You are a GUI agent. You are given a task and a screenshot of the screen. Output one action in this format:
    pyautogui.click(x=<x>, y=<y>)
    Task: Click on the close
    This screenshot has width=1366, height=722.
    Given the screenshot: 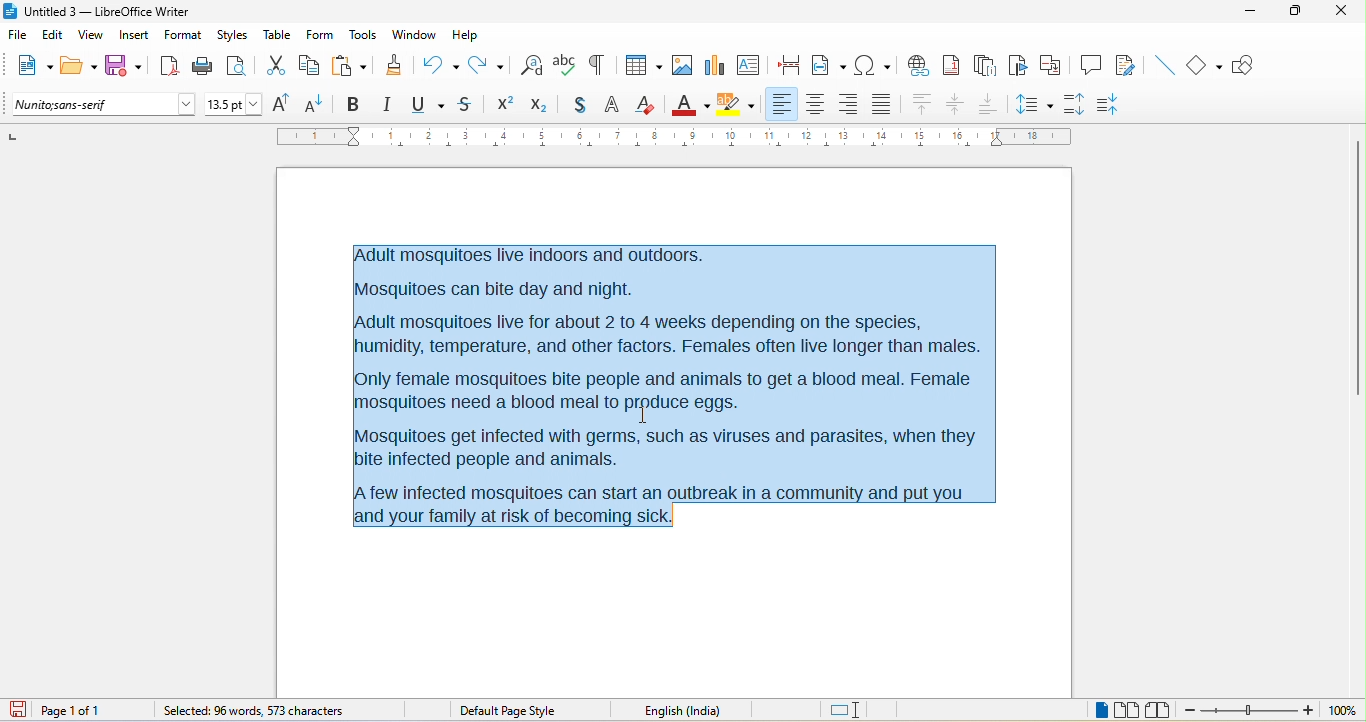 What is the action you would take?
    pyautogui.click(x=1342, y=15)
    